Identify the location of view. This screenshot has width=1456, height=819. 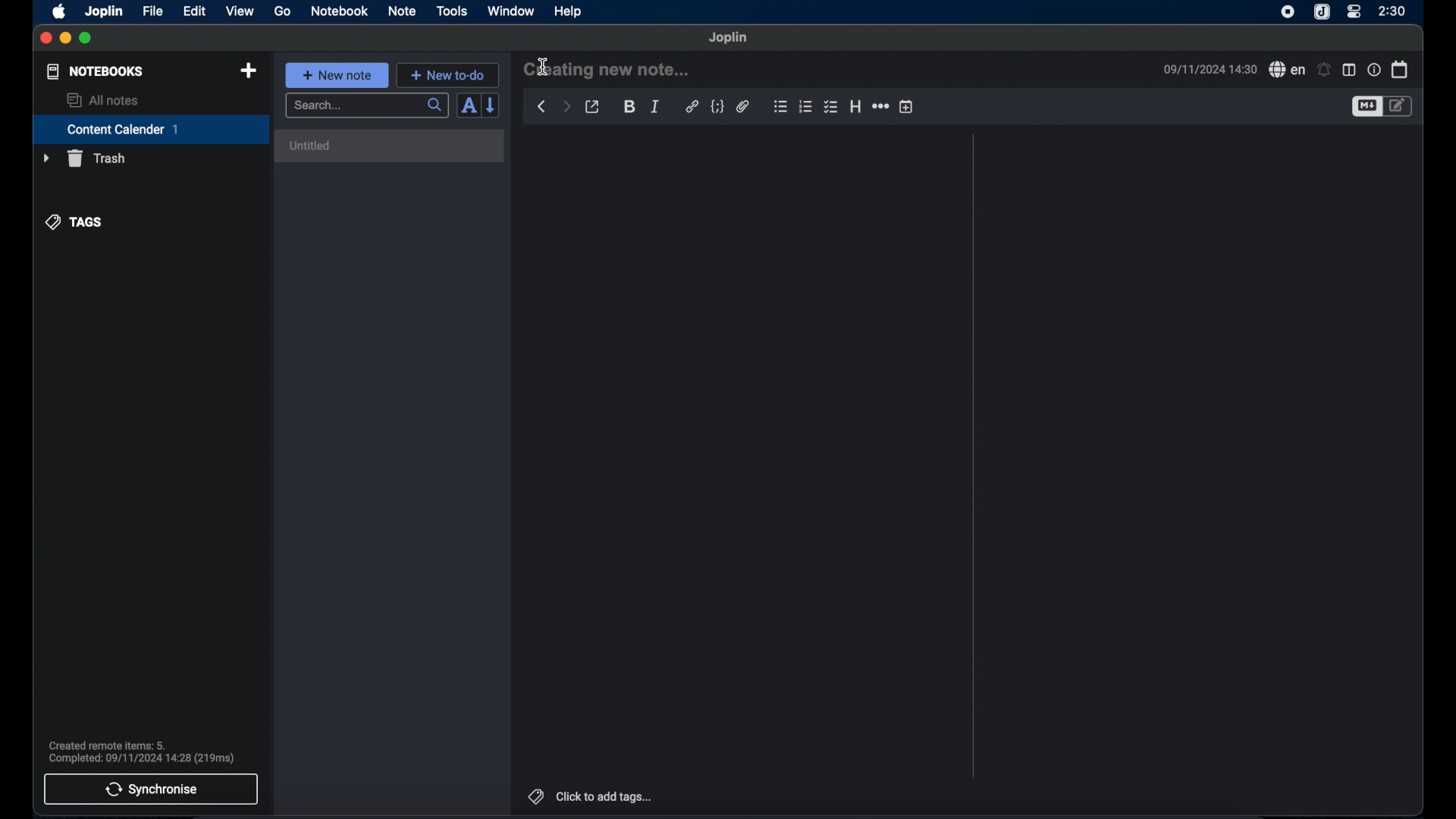
(240, 11).